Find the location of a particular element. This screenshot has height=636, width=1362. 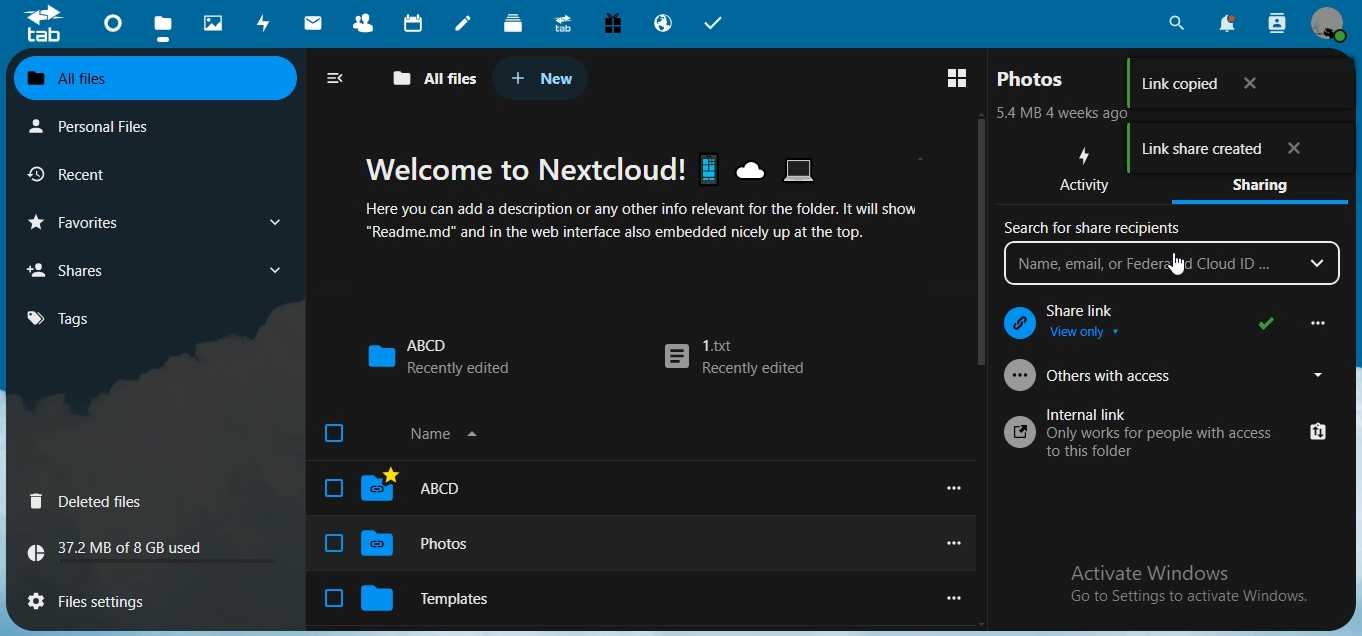

more options is located at coordinates (956, 488).